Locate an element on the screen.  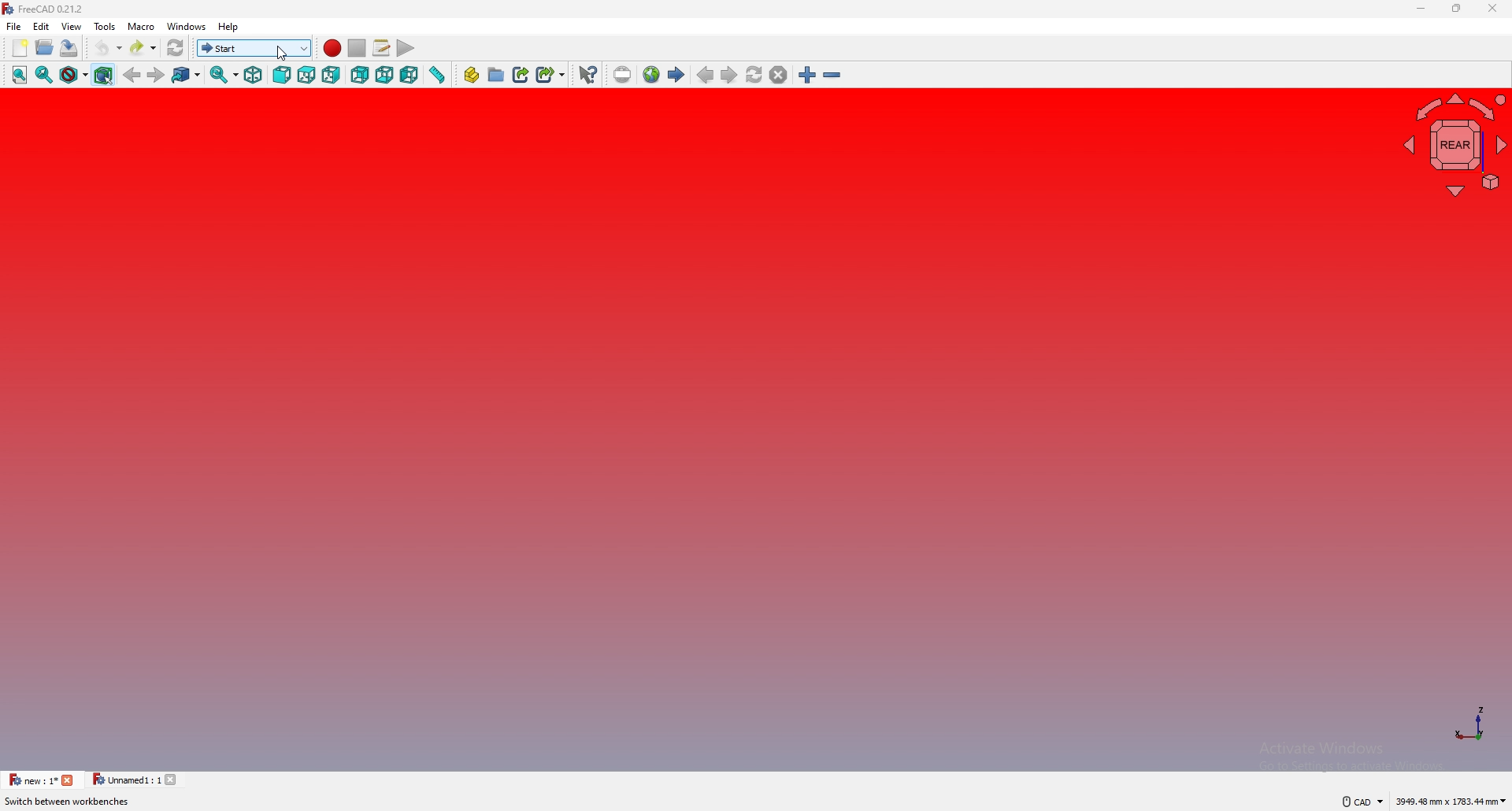
zoom in is located at coordinates (808, 74).